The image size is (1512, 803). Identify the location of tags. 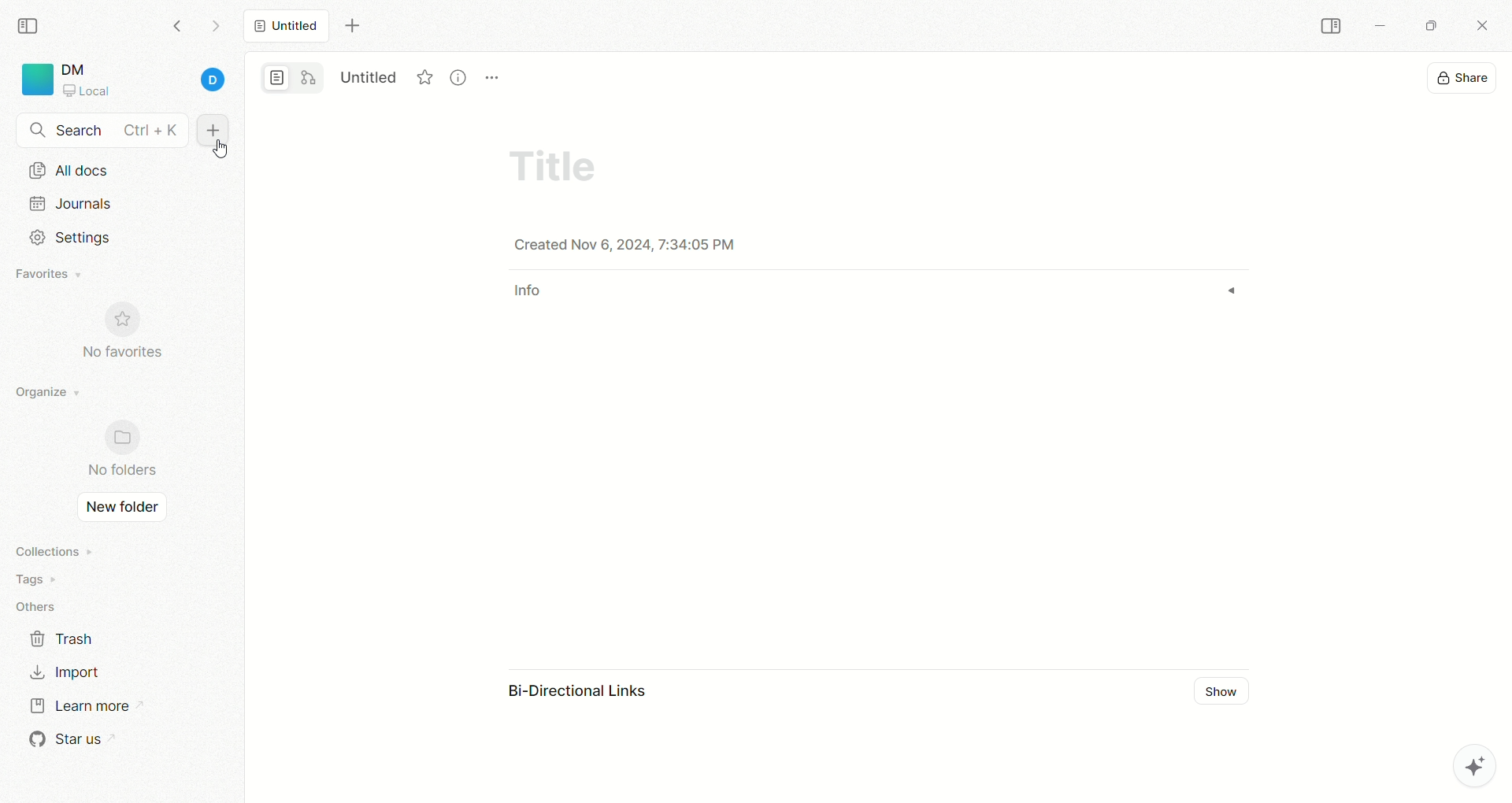
(31, 579).